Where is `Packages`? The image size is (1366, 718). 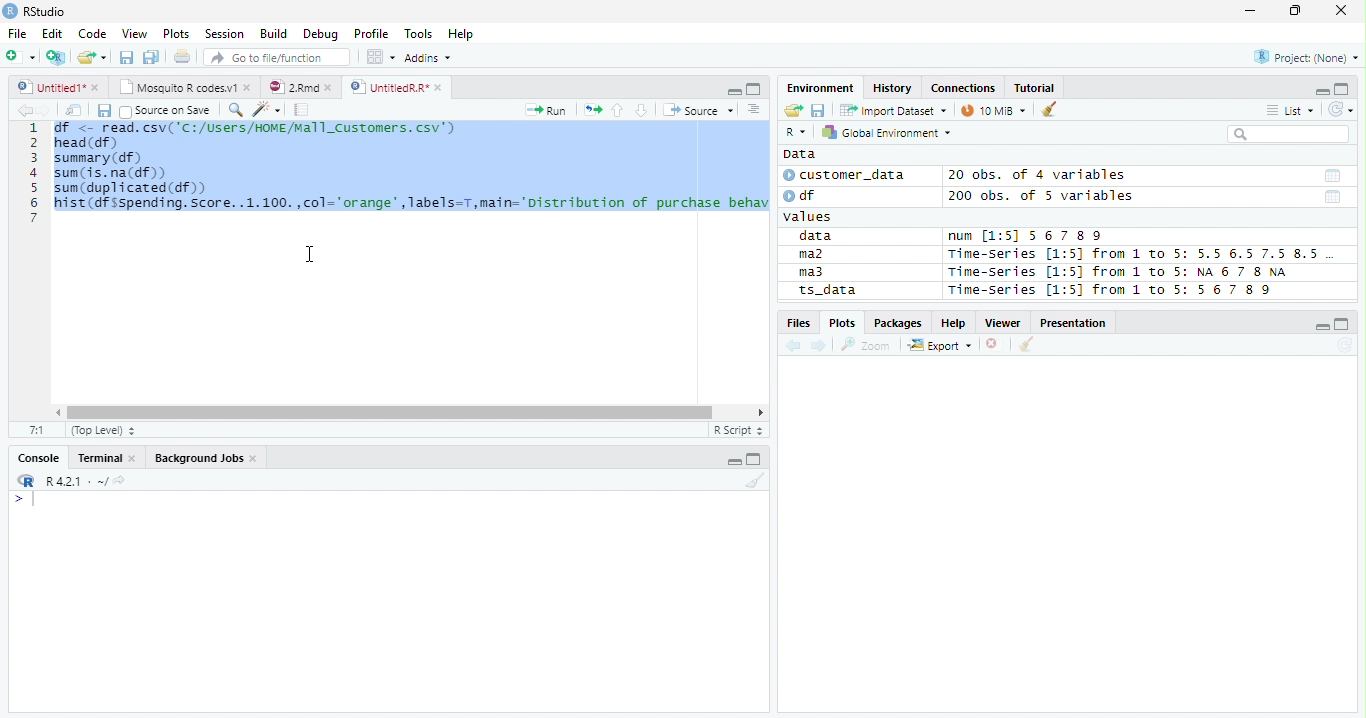
Packages is located at coordinates (897, 324).